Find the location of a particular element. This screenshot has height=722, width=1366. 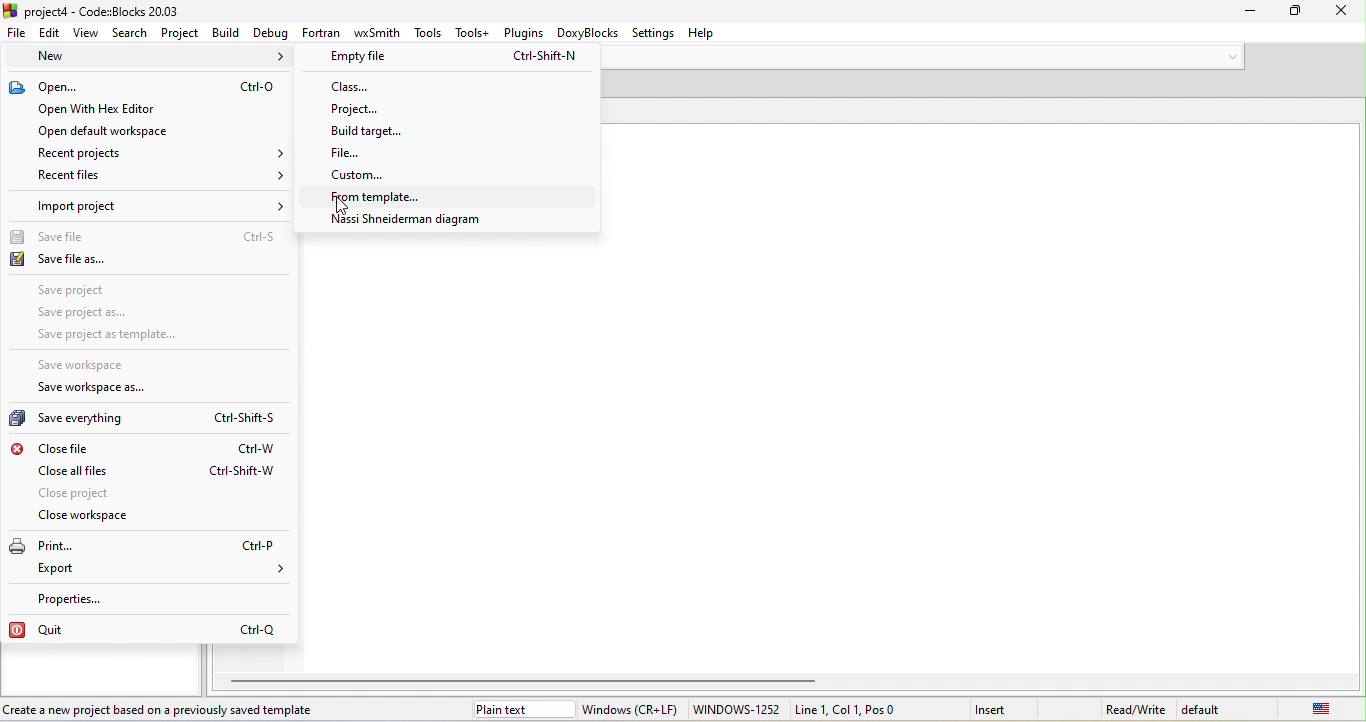

plain text is located at coordinates (521, 709).